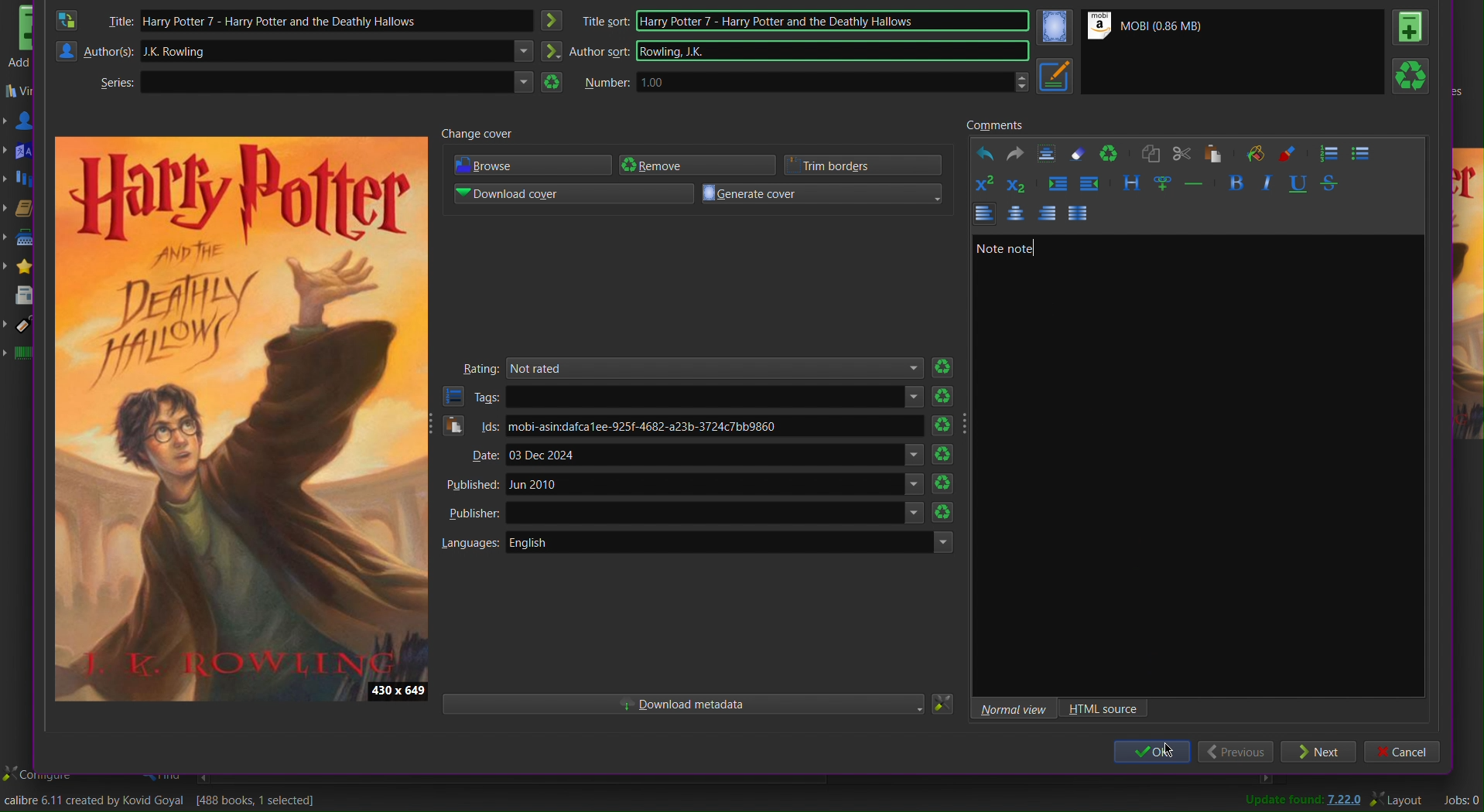  I want to click on Left Align, so click(1045, 214).